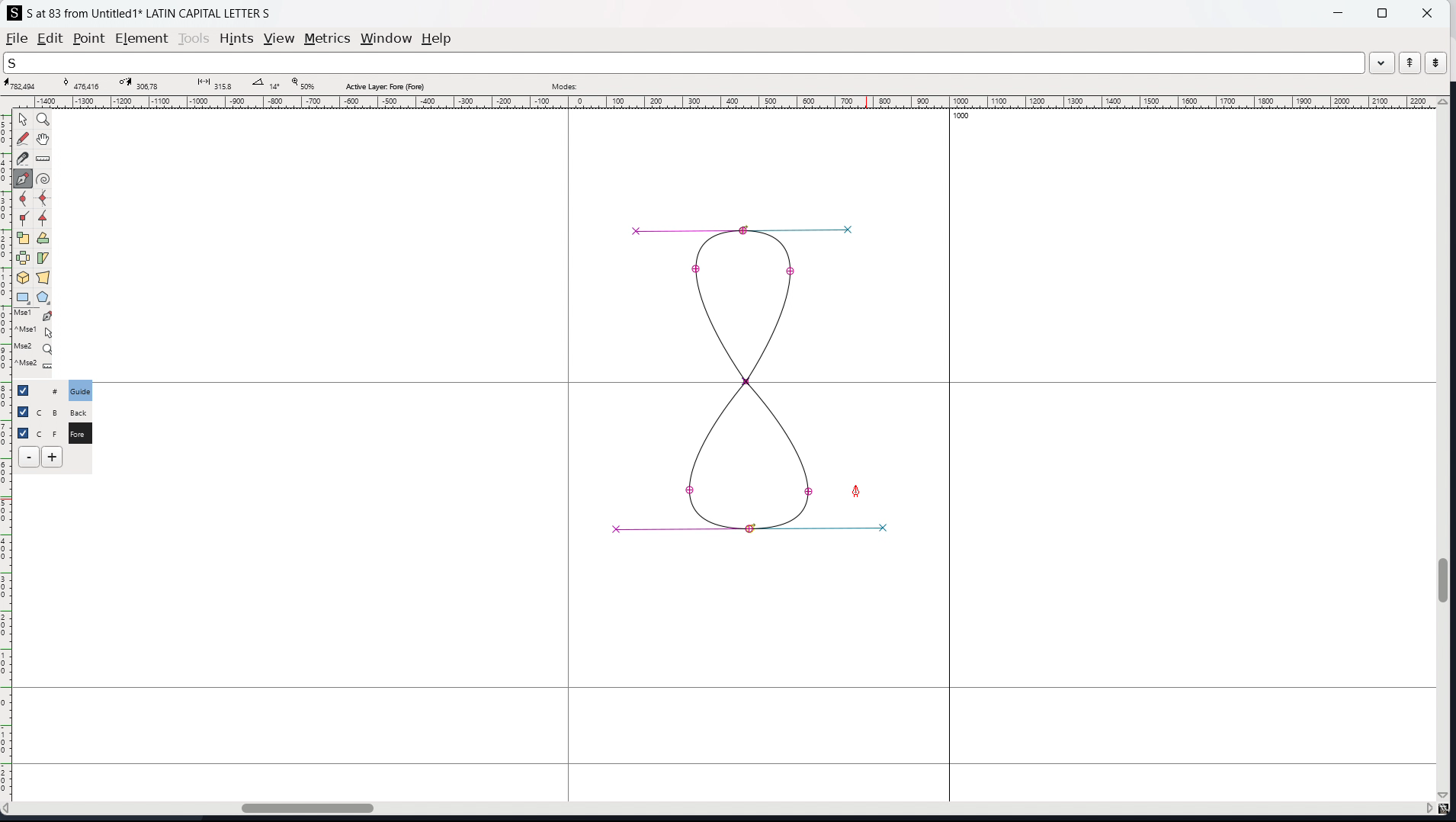  Describe the element at coordinates (23, 159) in the screenshot. I see `cut splines in two` at that location.